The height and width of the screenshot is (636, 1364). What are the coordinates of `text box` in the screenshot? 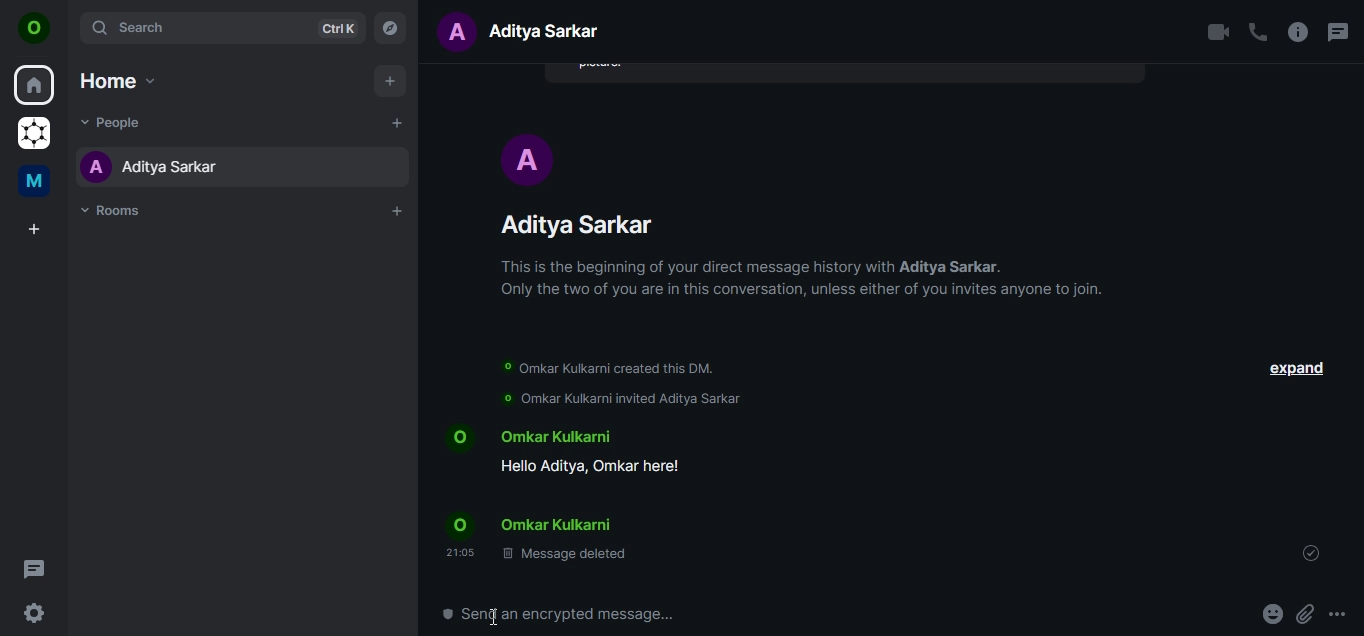 It's located at (604, 615).